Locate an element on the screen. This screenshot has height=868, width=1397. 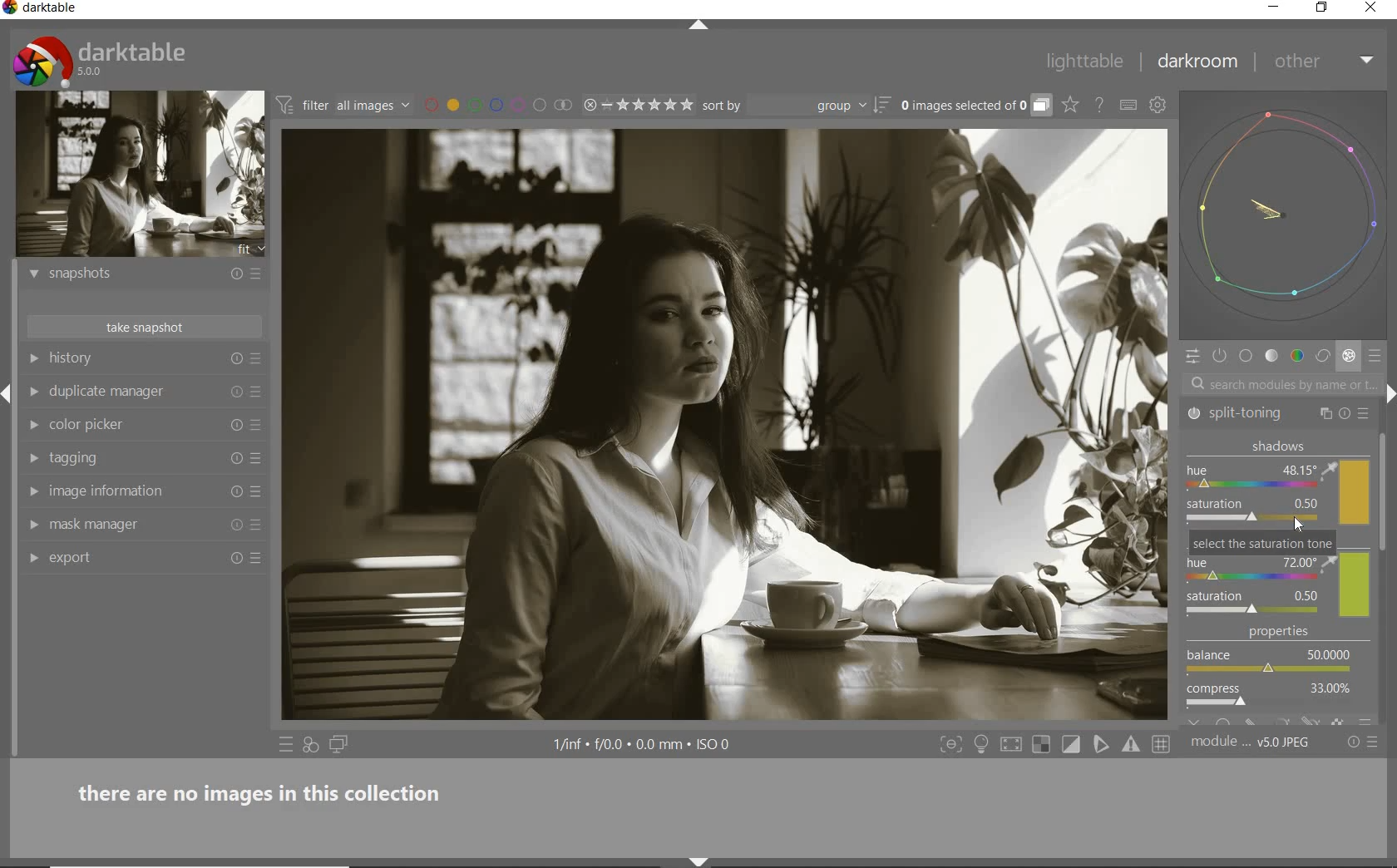
effect is located at coordinates (1349, 358).